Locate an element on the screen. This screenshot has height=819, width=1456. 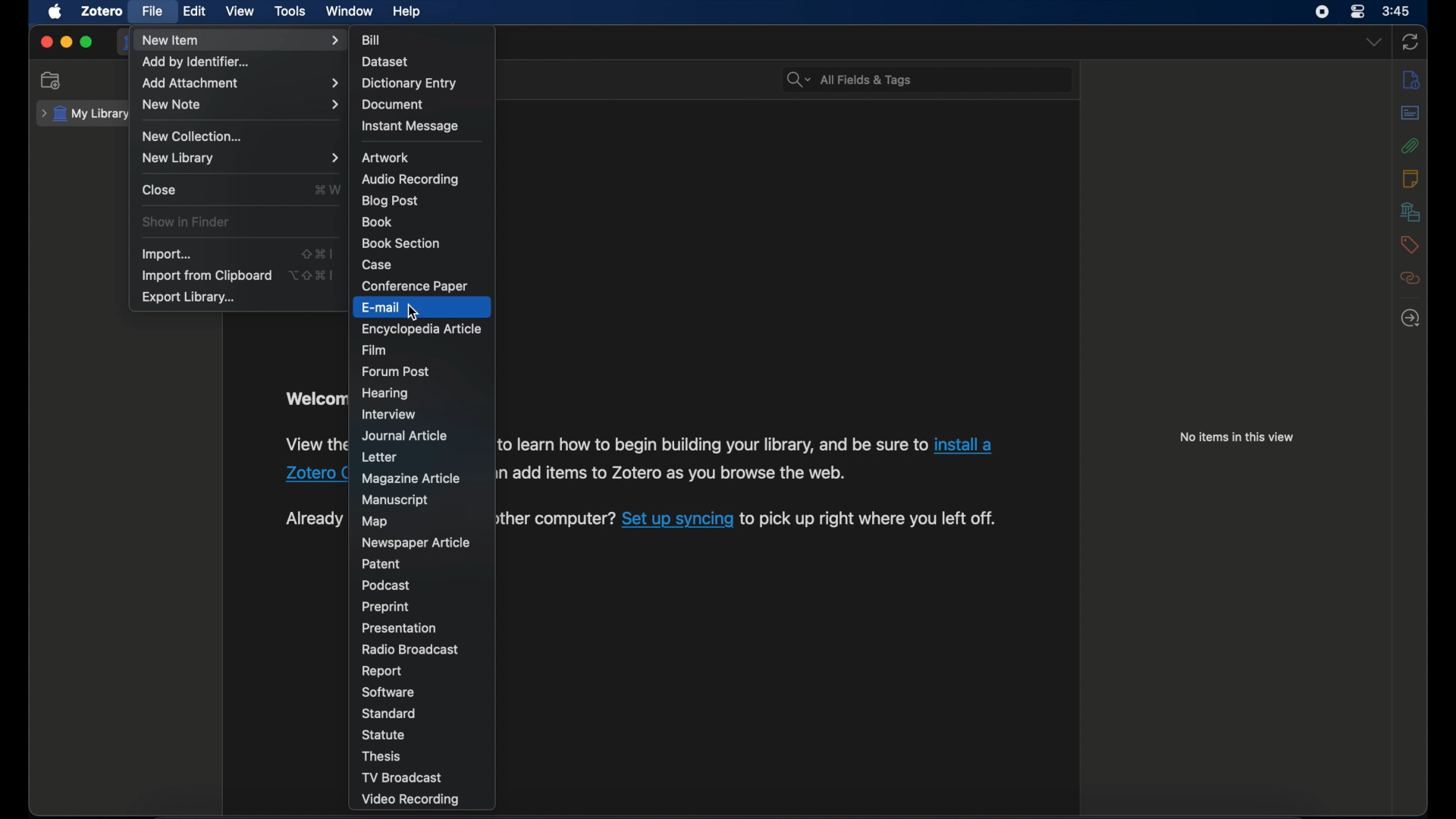
report is located at coordinates (382, 672).